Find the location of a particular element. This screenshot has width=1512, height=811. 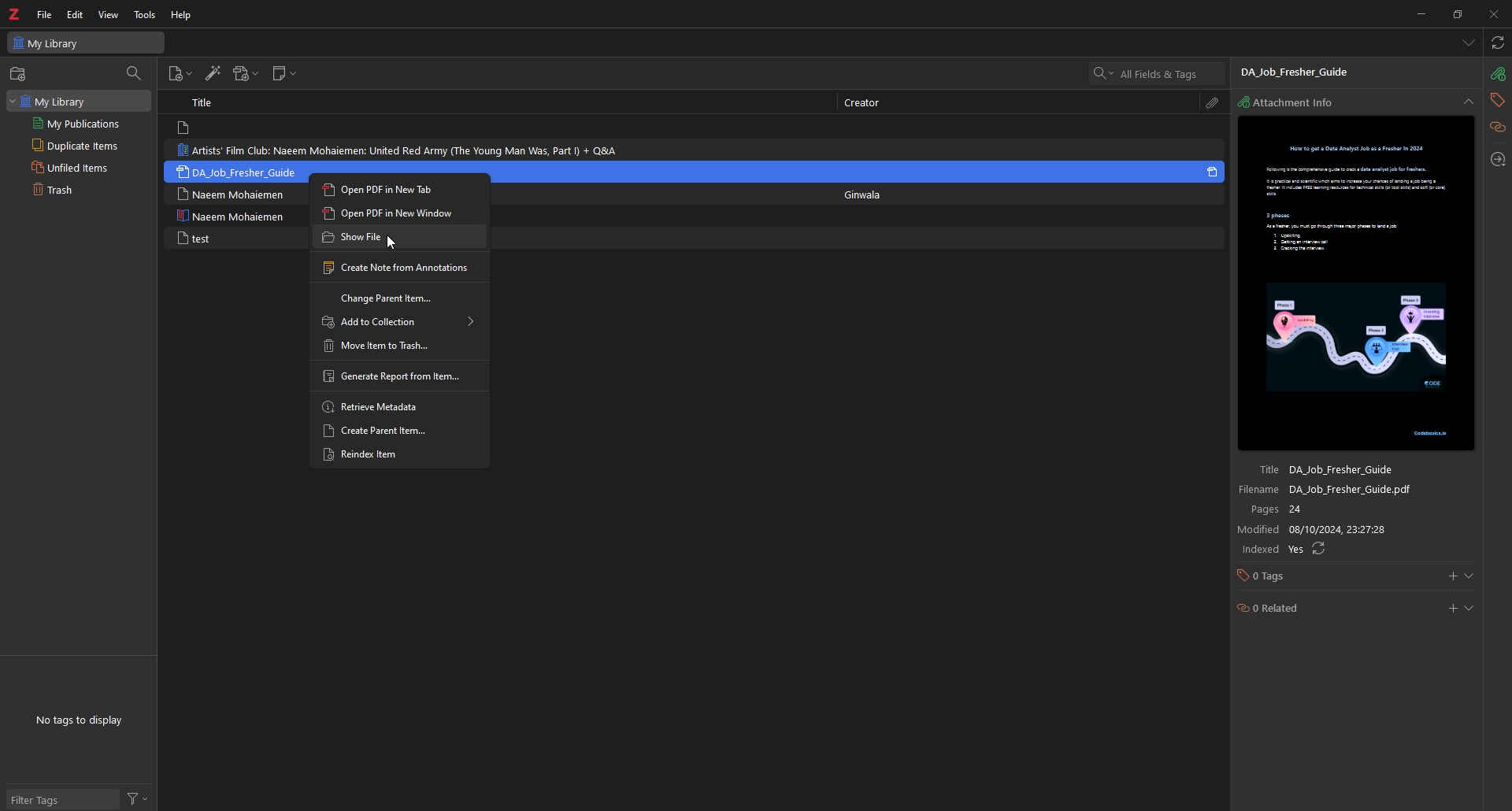

attachment info is located at coordinates (1296, 103).